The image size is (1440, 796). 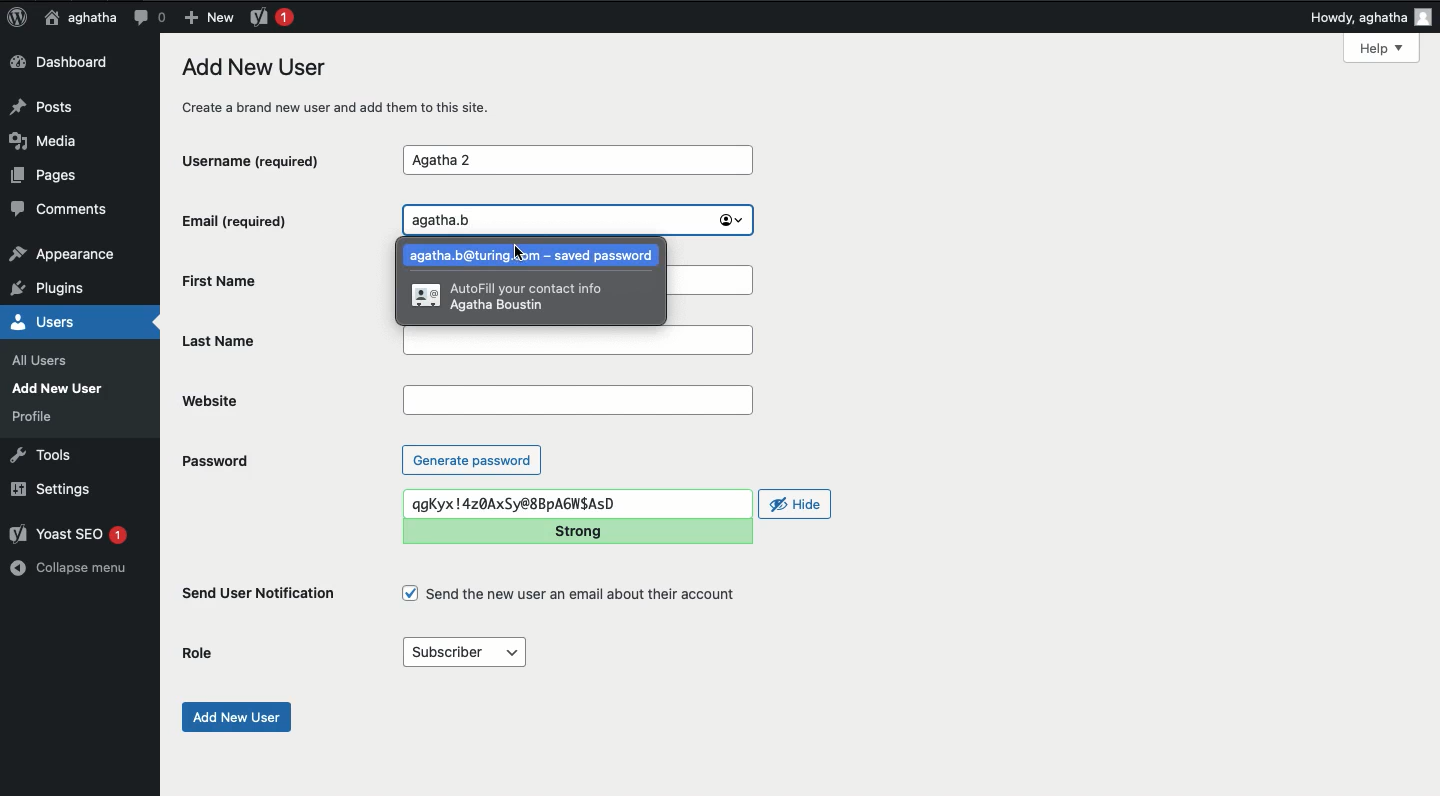 What do you see at coordinates (17, 18) in the screenshot?
I see `Logo` at bounding box center [17, 18].